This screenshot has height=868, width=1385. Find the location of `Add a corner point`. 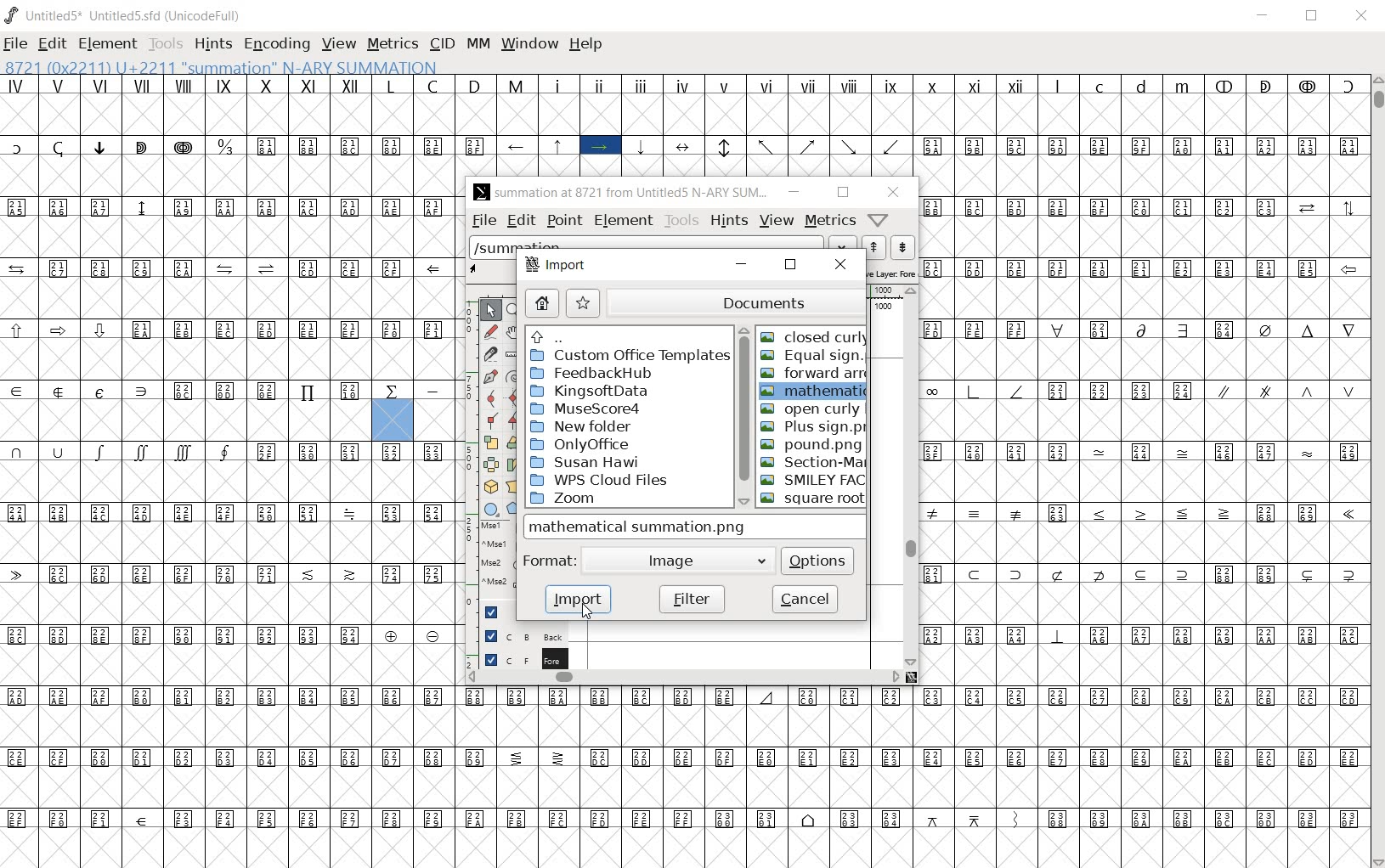

Add a corner point is located at coordinates (515, 420).